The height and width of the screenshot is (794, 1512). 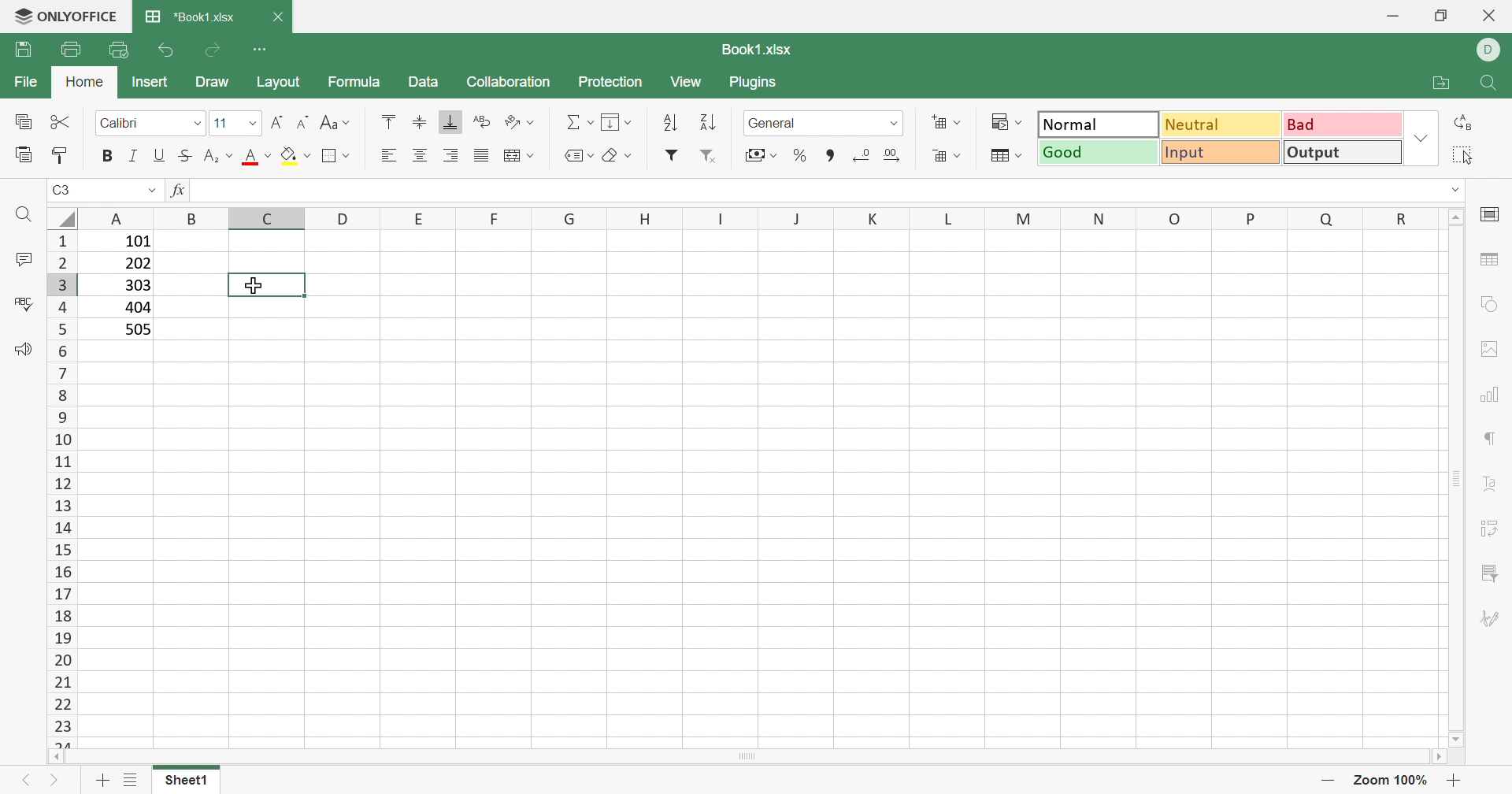 I want to click on List of sheets, so click(x=131, y=780).